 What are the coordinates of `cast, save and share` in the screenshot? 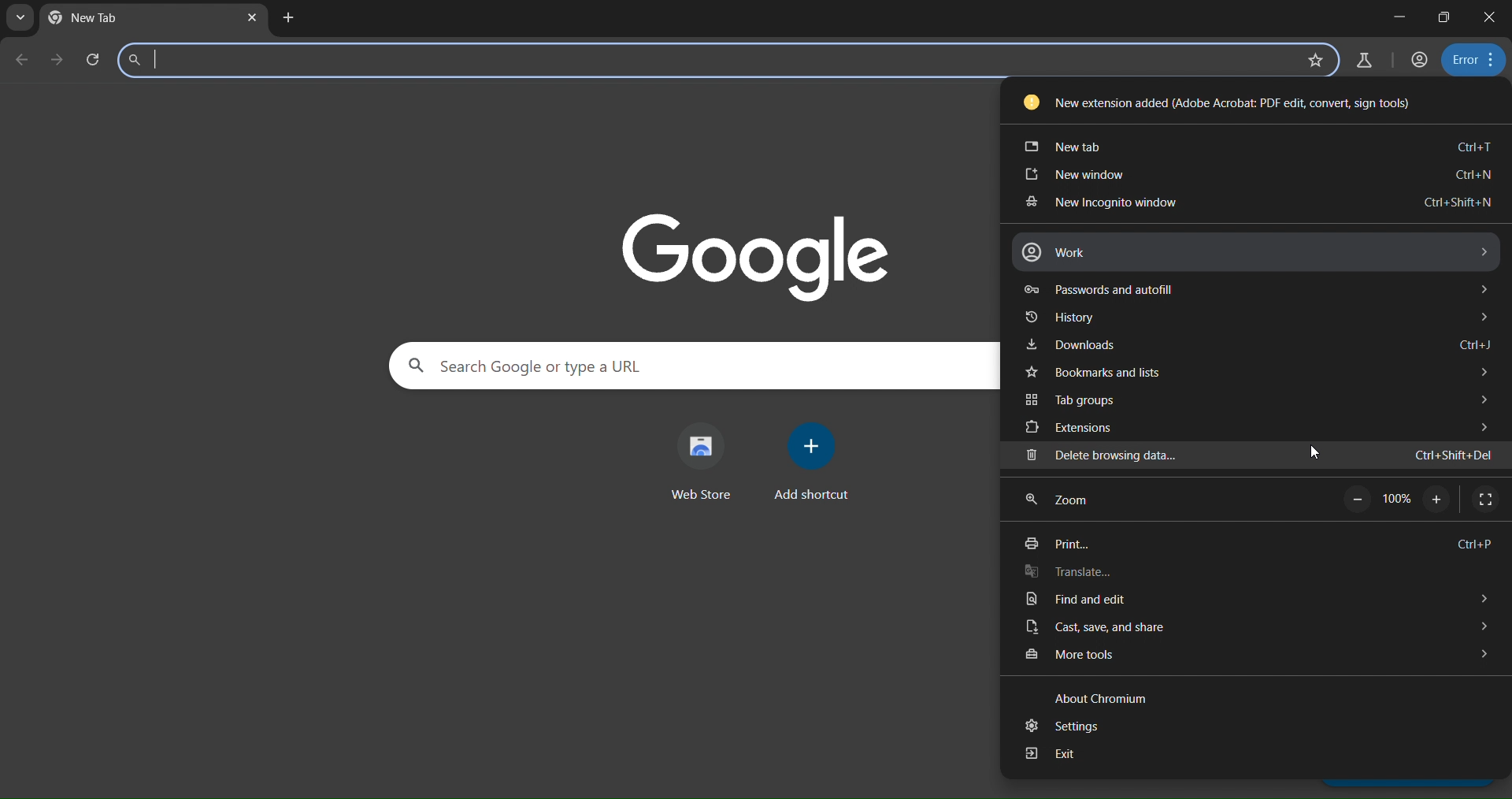 It's located at (1249, 628).